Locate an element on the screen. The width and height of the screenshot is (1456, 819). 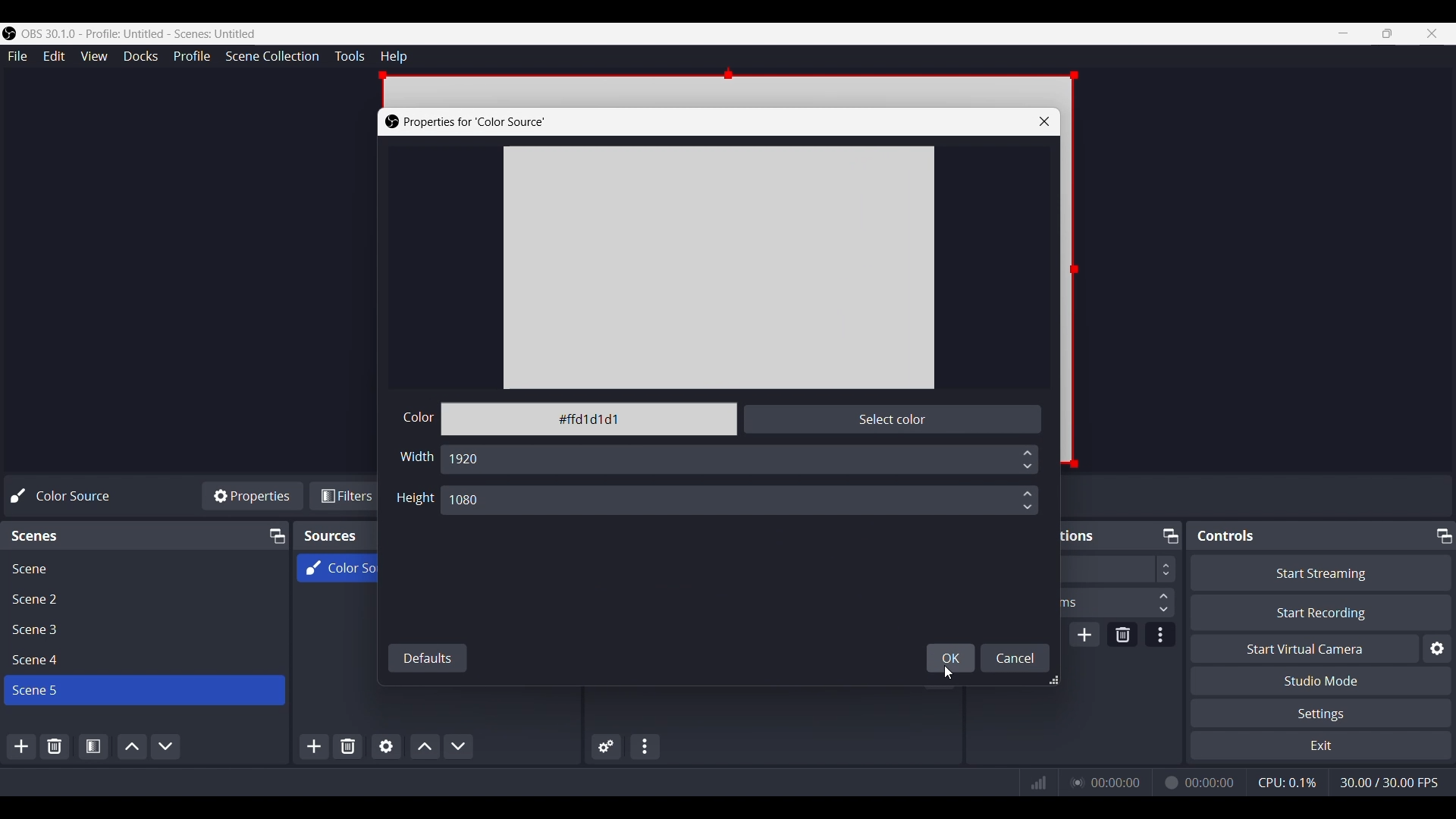
Maximize is located at coordinates (1444, 535).